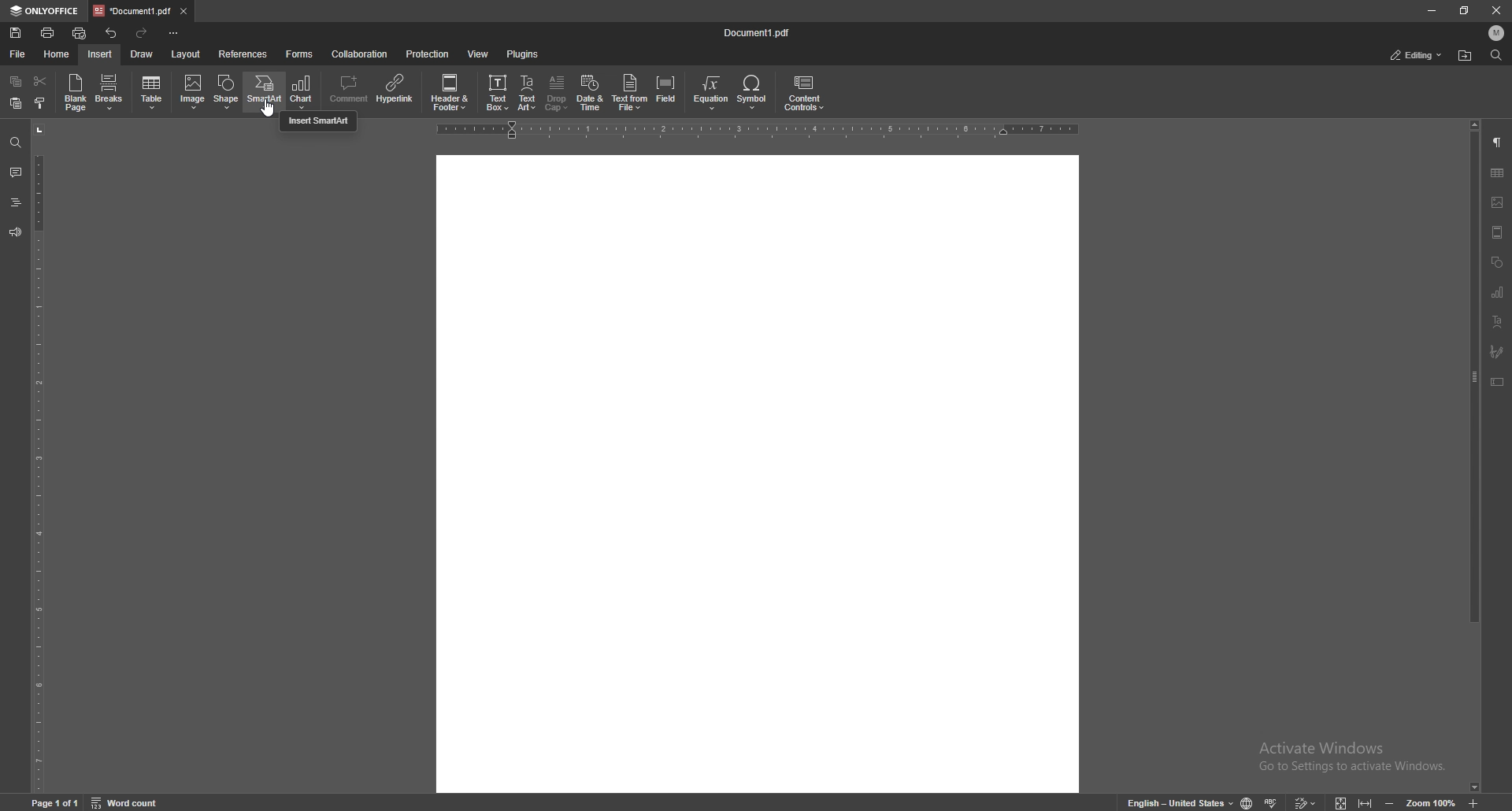 The height and width of the screenshot is (811, 1512). I want to click on zoom in, so click(1477, 803).